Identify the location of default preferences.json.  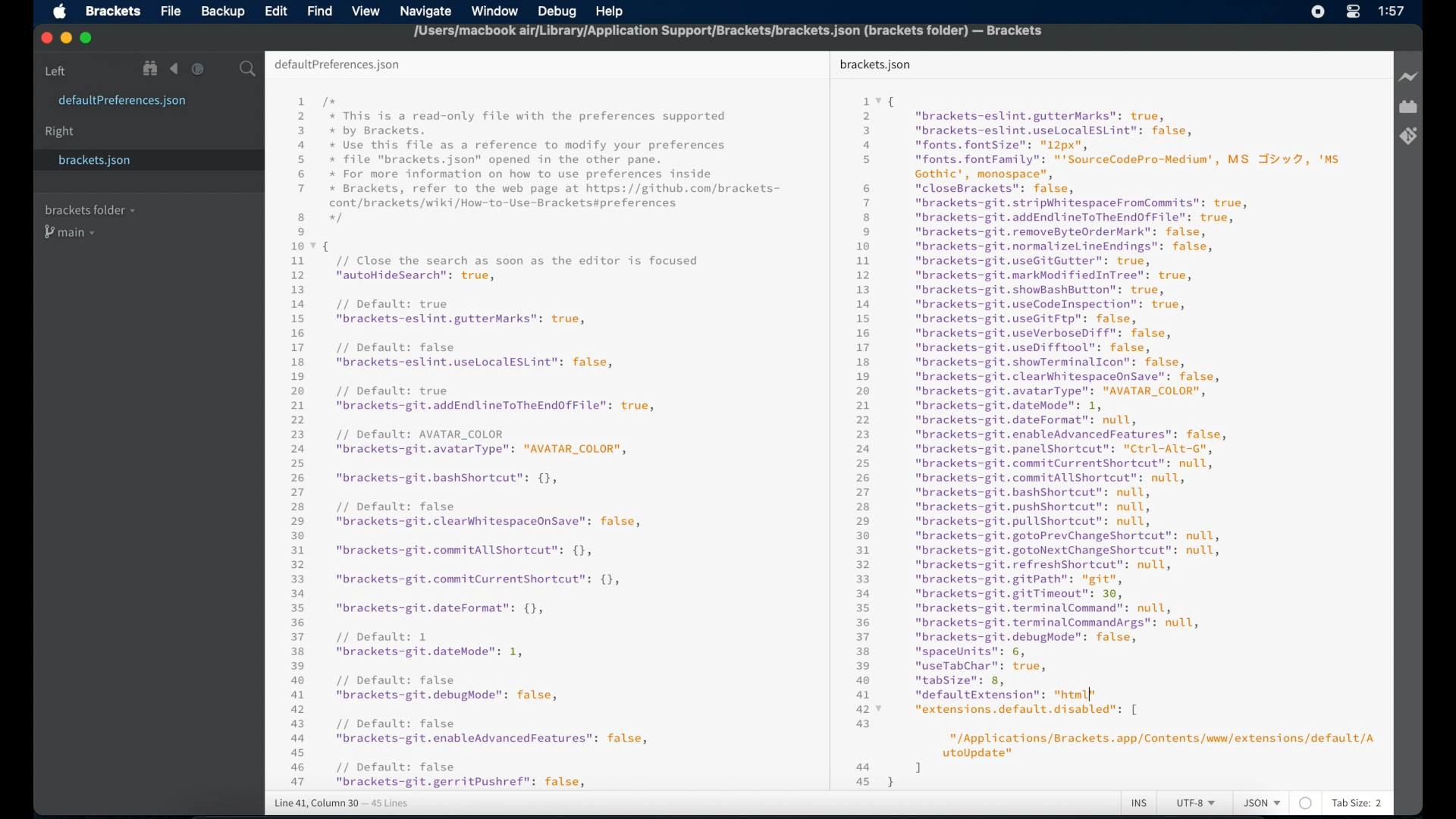
(337, 65).